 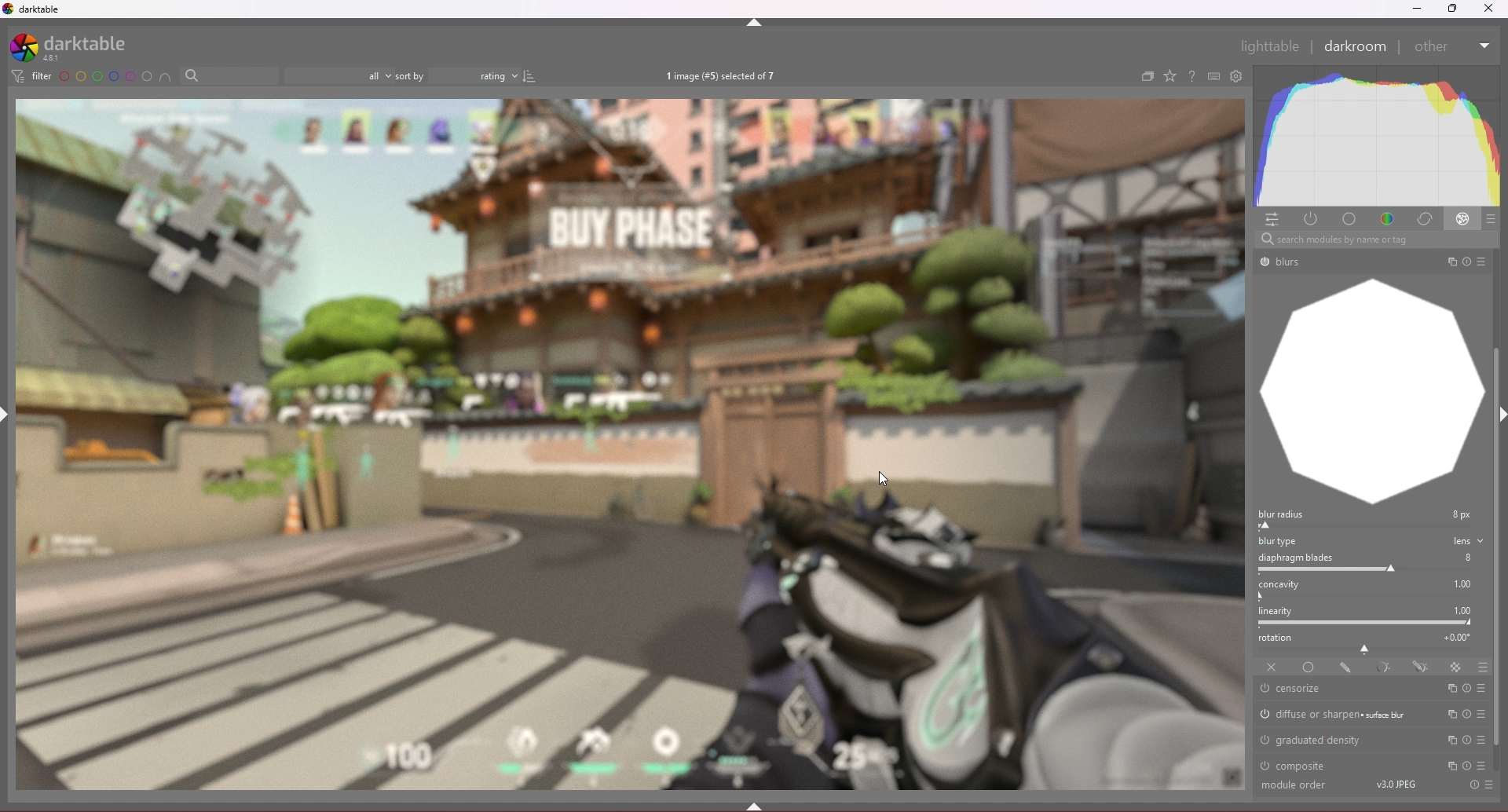 I want to click on multi instances actions, so click(x=1449, y=715).